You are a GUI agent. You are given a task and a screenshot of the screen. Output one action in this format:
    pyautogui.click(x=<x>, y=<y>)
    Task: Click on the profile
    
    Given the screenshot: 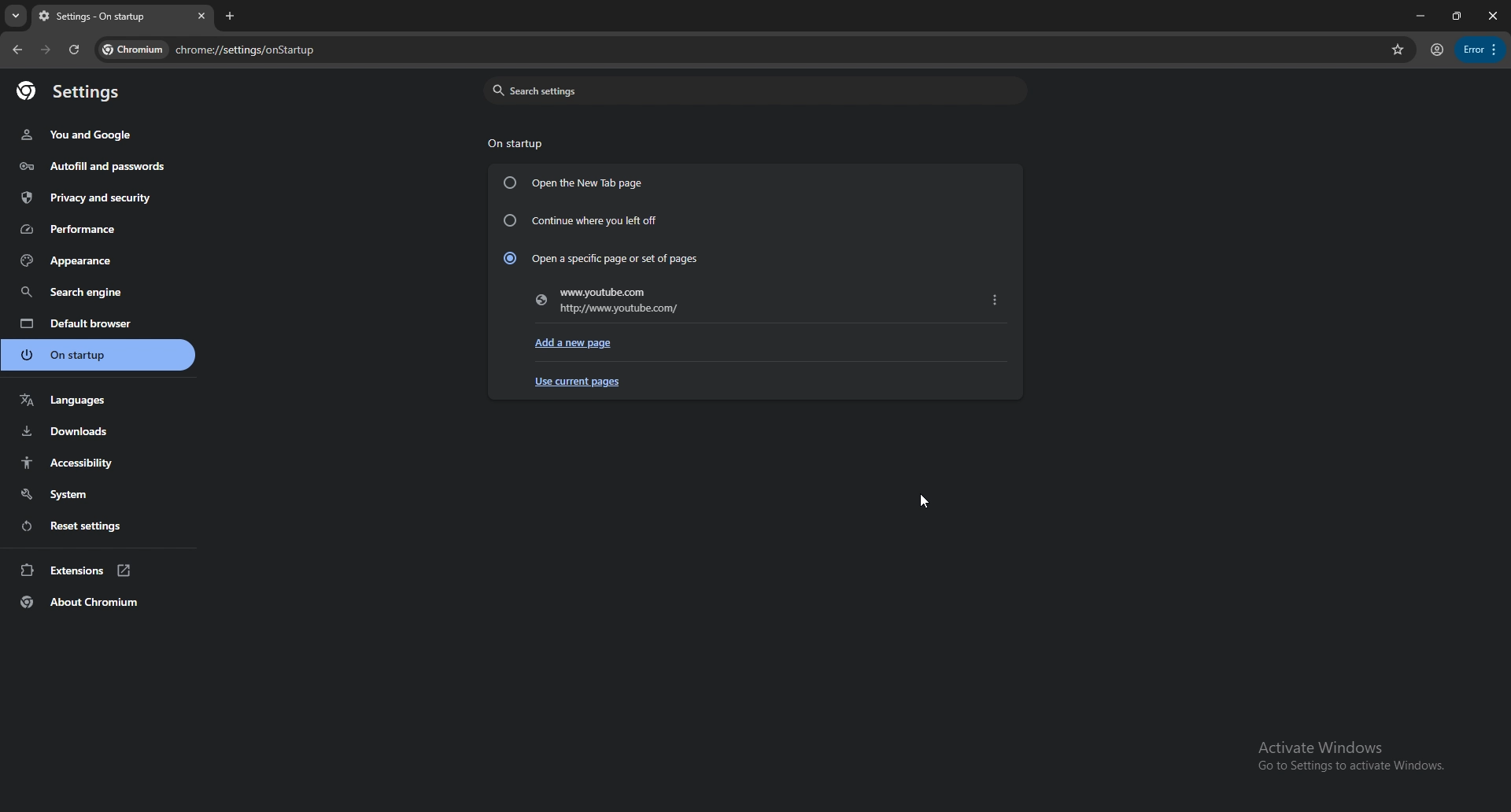 What is the action you would take?
    pyautogui.click(x=1436, y=51)
    